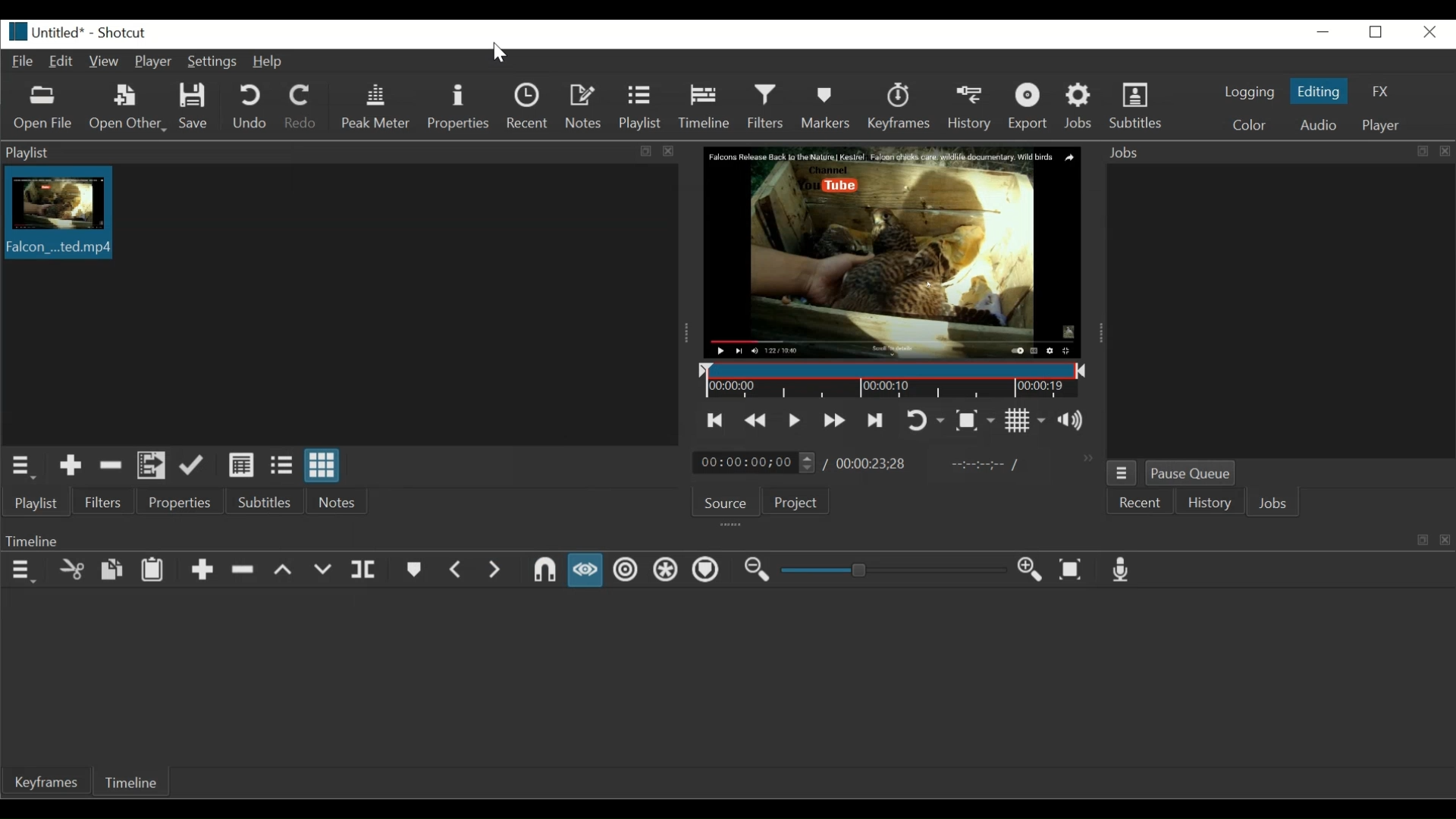 The height and width of the screenshot is (819, 1456). What do you see at coordinates (154, 570) in the screenshot?
I see `Paste` at bounding box center [154, 570].